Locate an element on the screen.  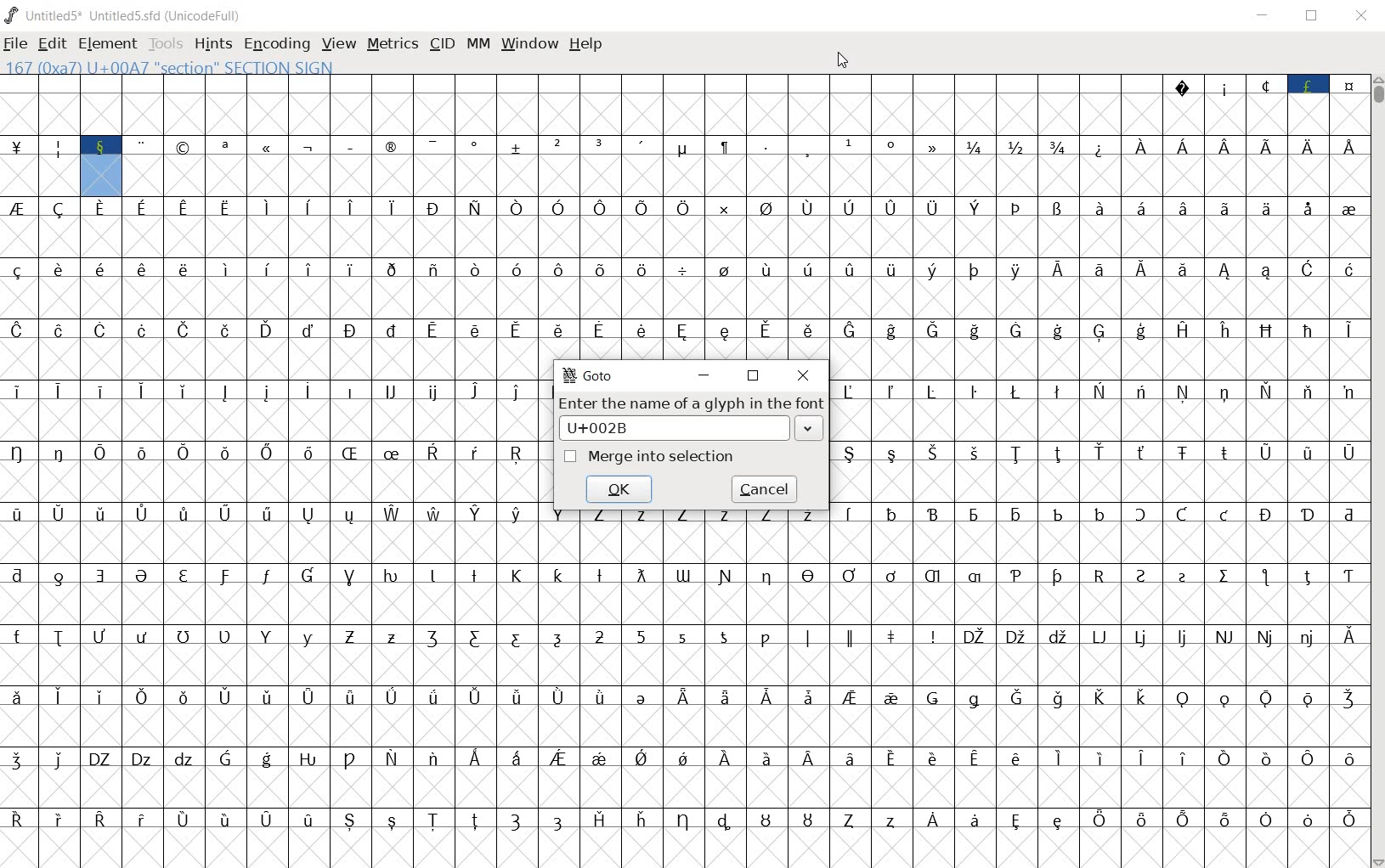
symbol is located at coordinates (726, 288).